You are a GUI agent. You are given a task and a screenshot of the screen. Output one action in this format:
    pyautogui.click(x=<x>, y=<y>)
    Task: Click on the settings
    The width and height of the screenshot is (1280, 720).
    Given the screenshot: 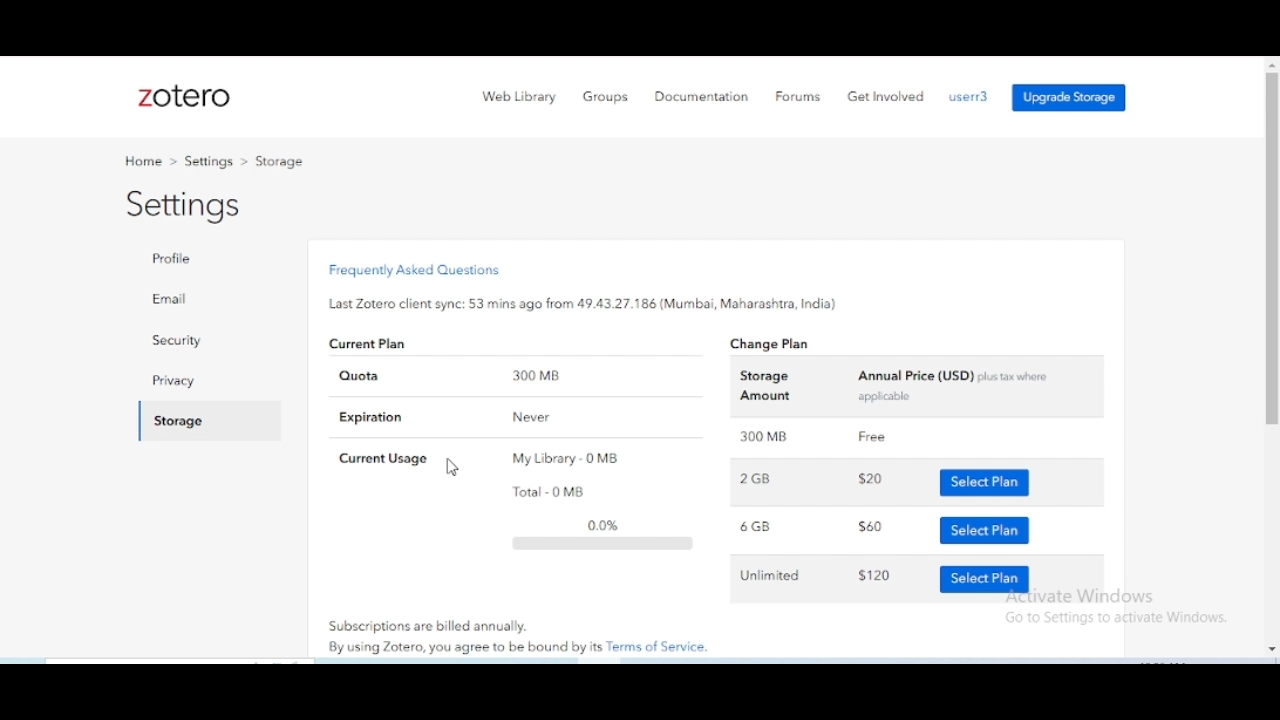 What is the action you would take?
    pyautogui.click(x=185, y=207)
    